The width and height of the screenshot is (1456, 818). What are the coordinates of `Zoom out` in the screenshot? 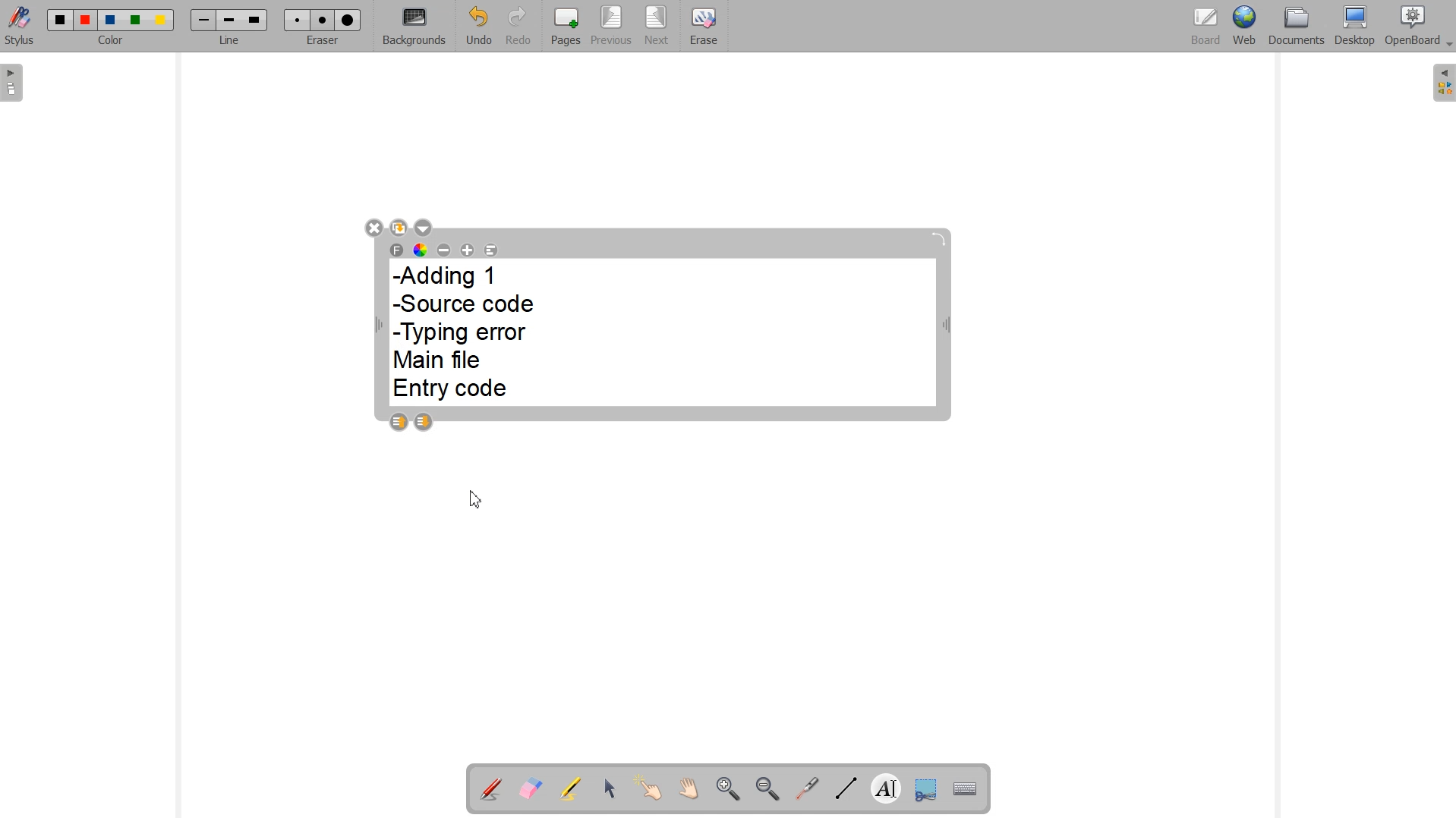 It's located at (767, 788).